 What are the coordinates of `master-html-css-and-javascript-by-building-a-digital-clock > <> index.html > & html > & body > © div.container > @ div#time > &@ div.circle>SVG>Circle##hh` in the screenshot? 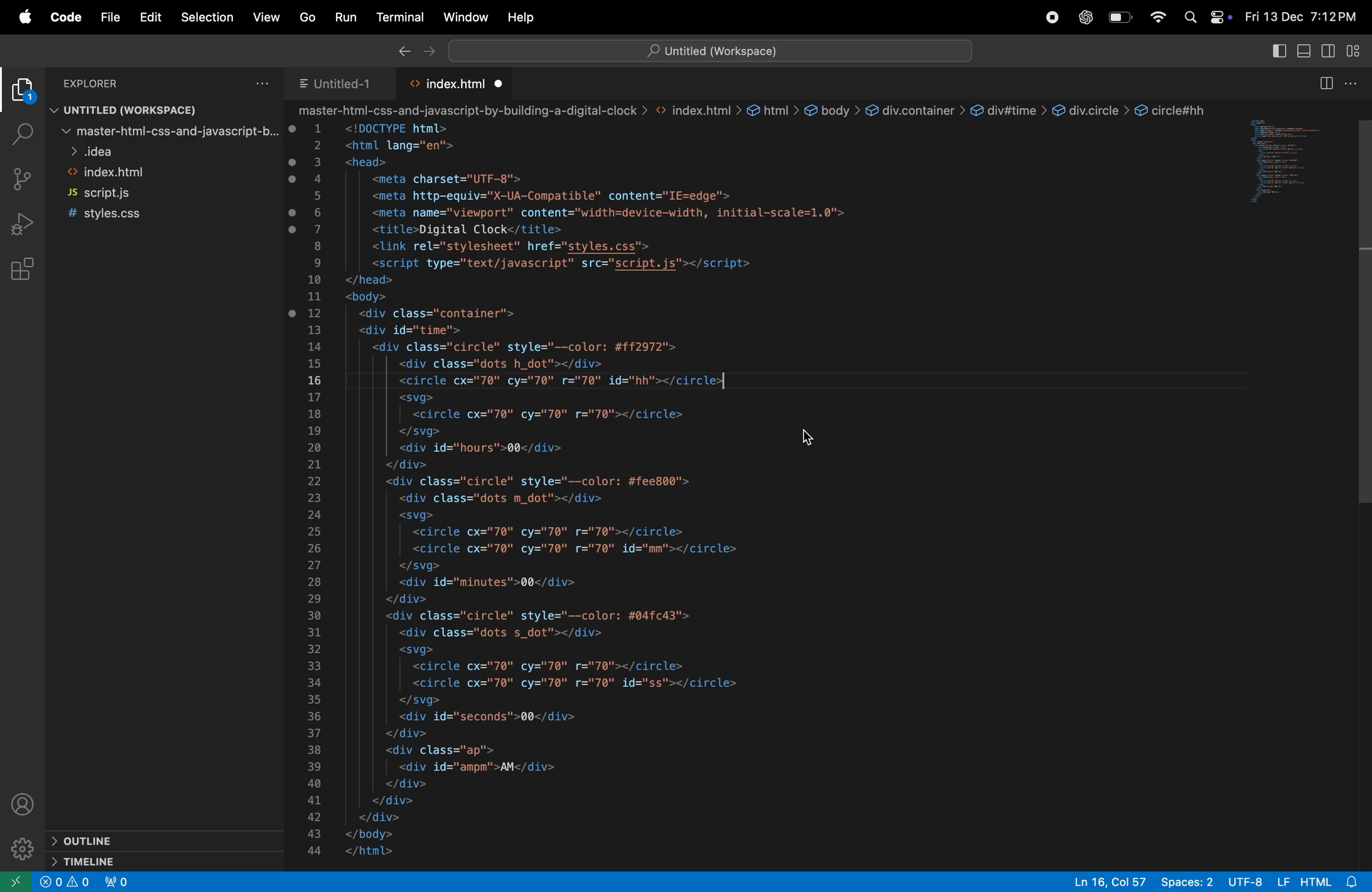 It's located at (753, 110).